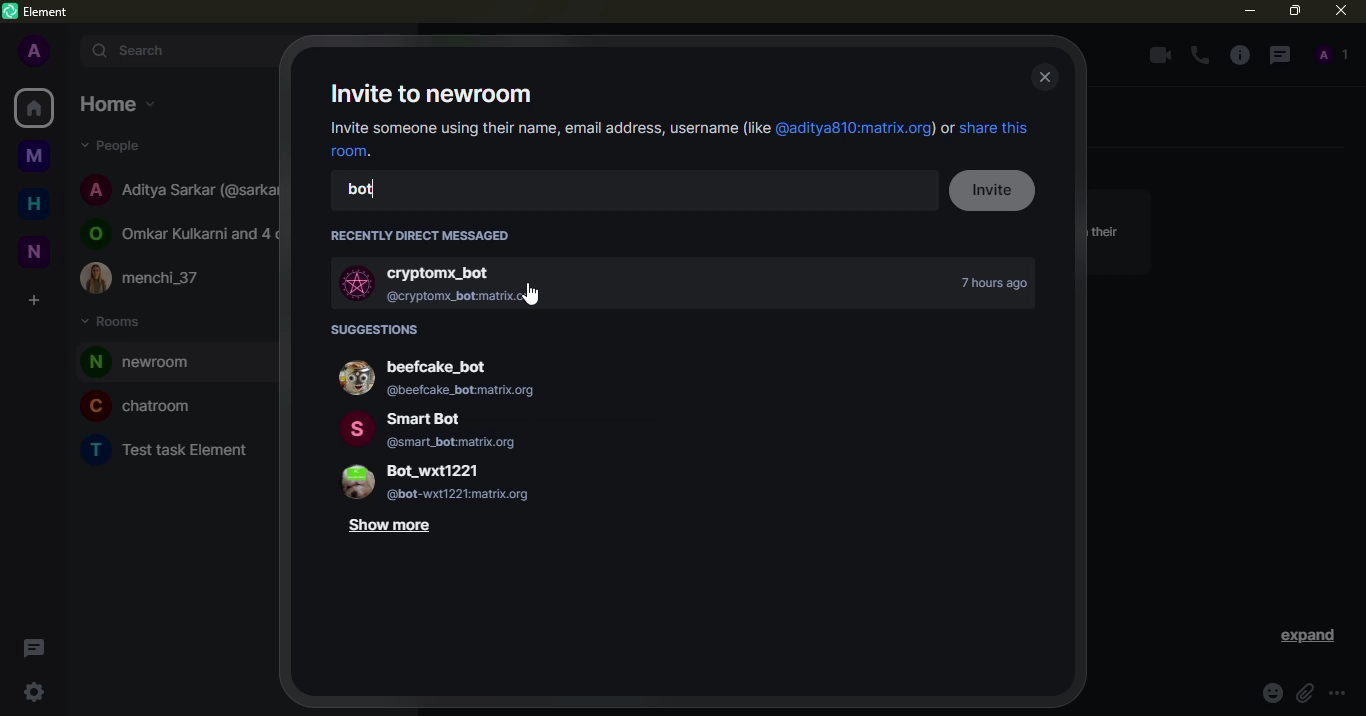 This screenshot has height=716, width=1366. Describe the element at coordinates (151, 362) in the screenshot. I see `room added` at that location.